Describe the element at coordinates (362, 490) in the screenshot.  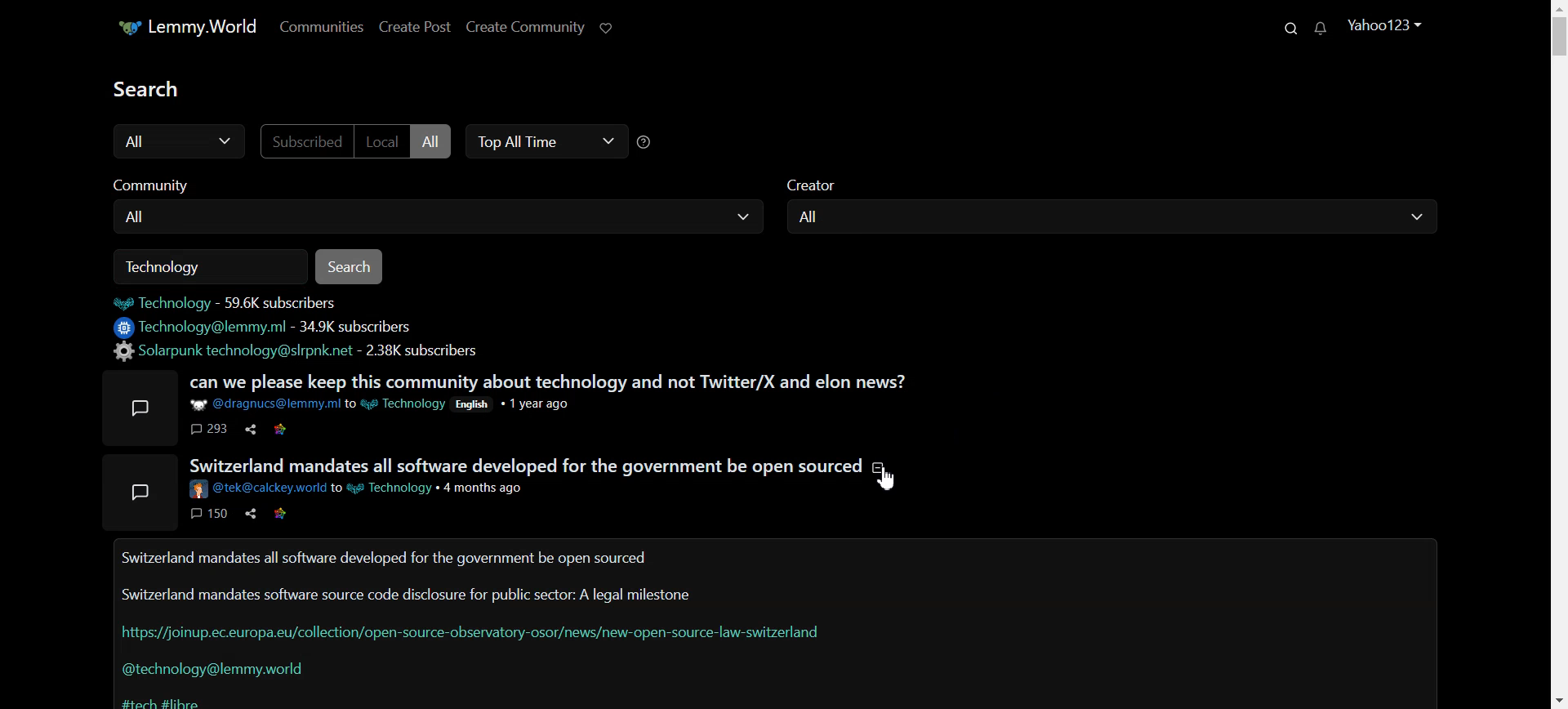
I see `@tek@calckey.world to %# Technology = 4 months ago` at that location.